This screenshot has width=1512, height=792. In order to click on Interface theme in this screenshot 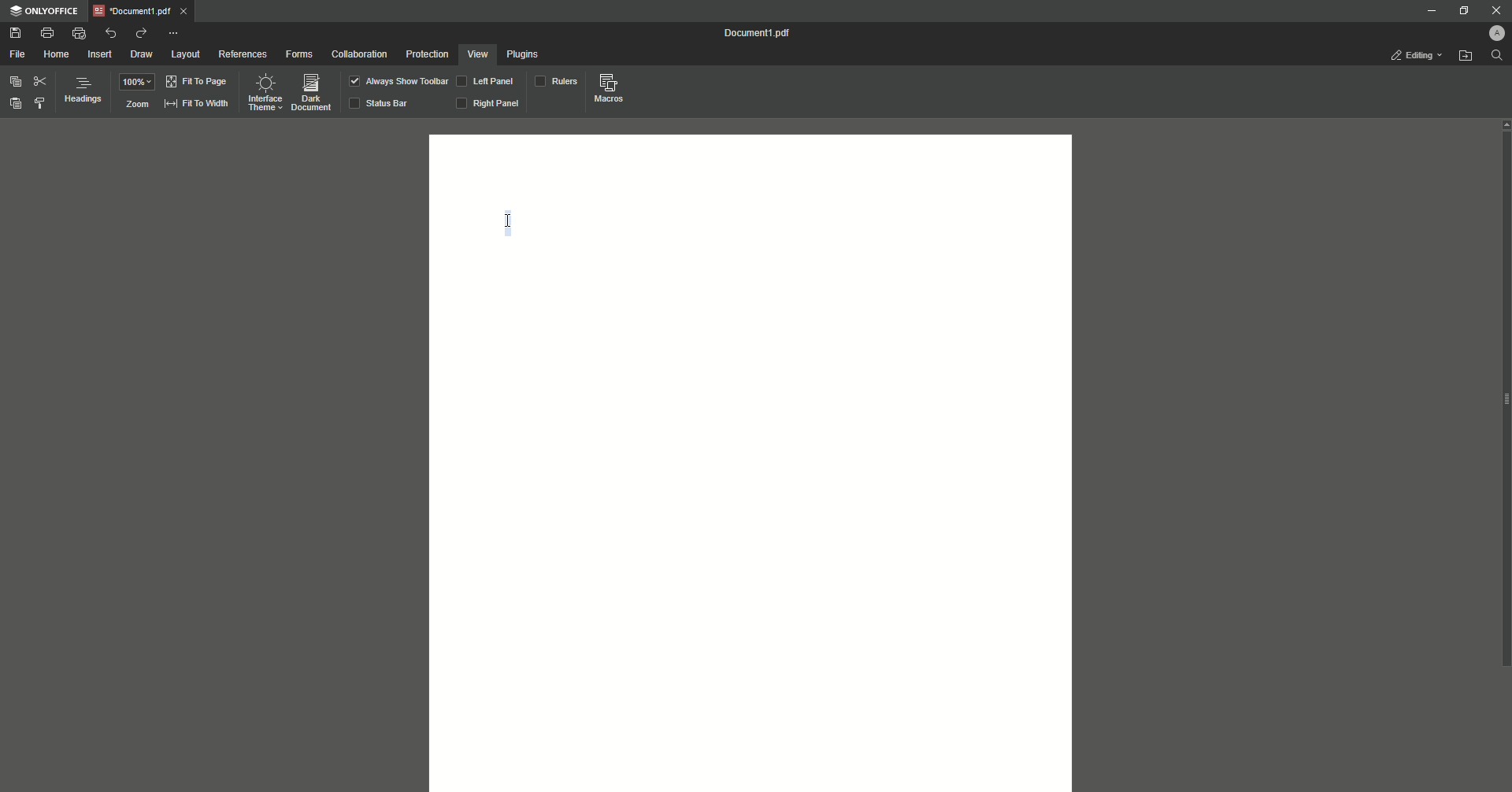, I will do `click(265, 92)`.